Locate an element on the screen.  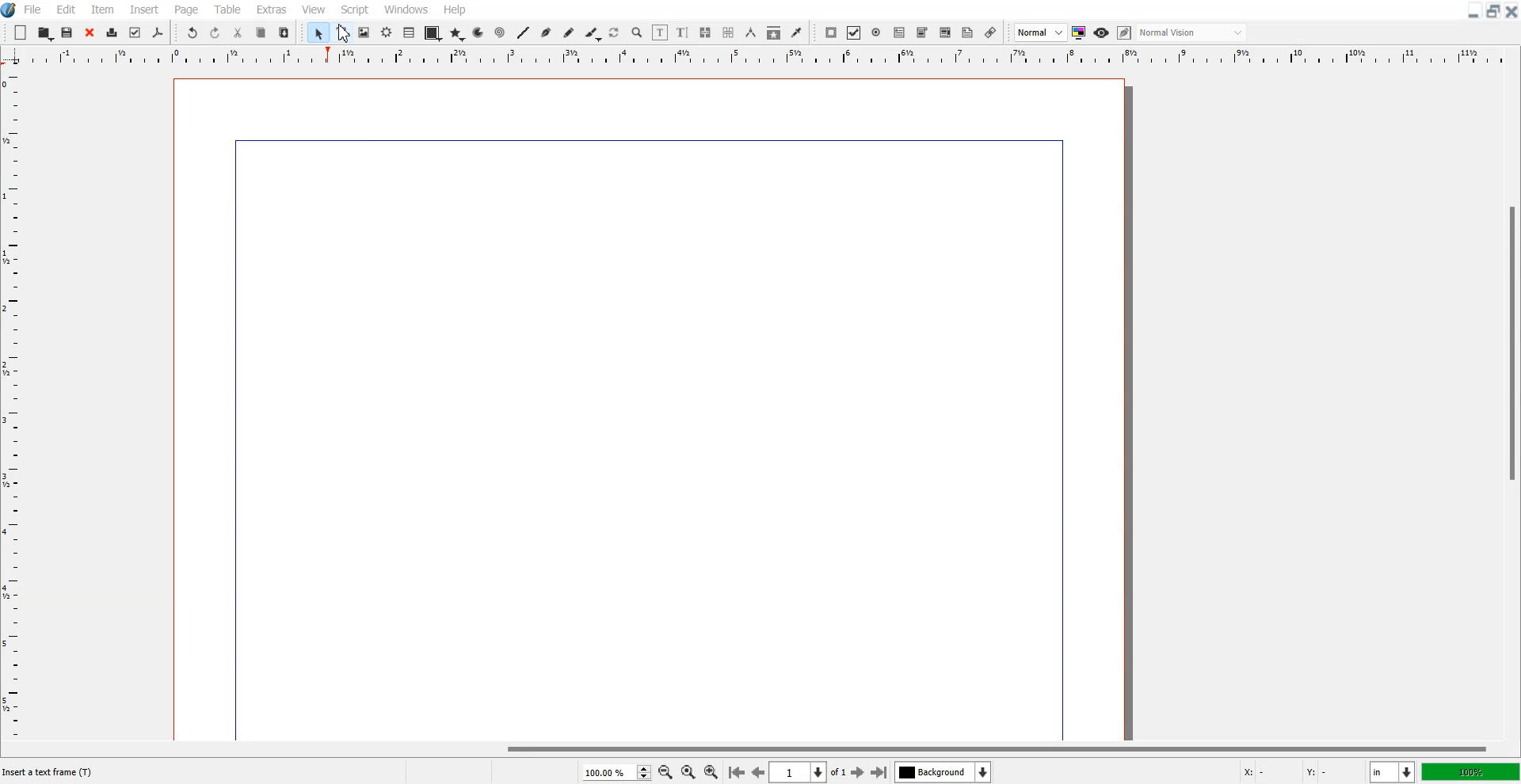
Help is located at coordinates (454, 10).